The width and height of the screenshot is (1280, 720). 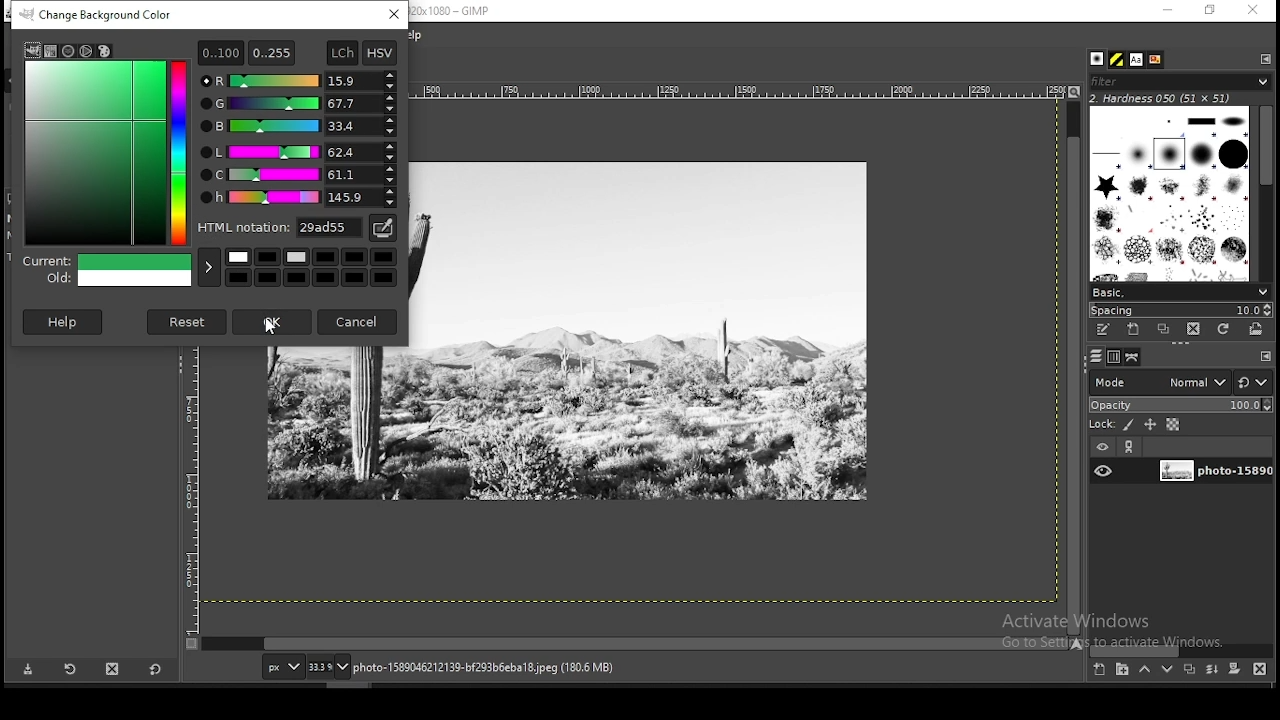 I want to click on green, so click(x=297, y=104).